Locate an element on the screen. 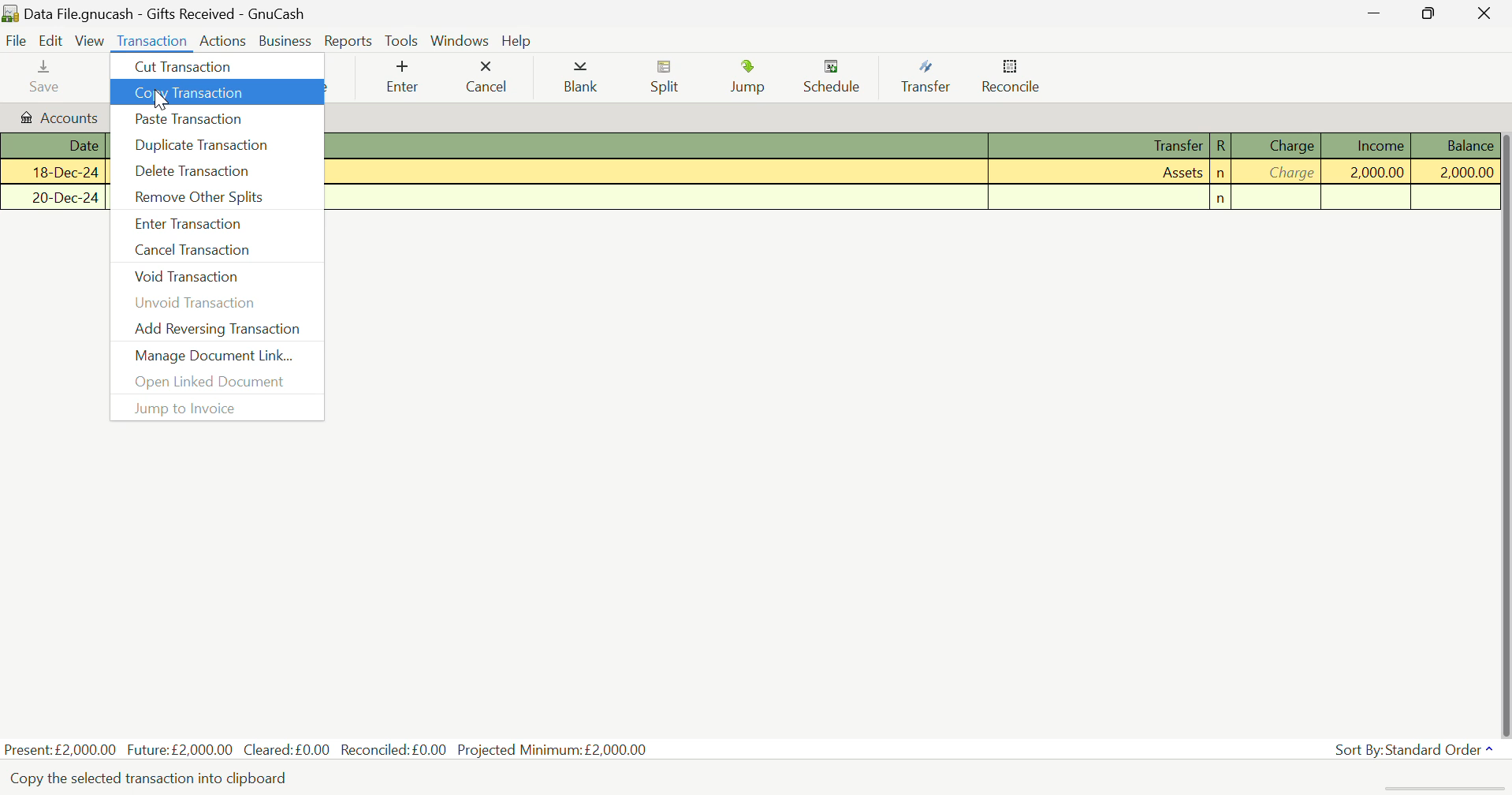 The height and width of the screenshot is (795, 1512). Copy the selected transaction into clipboard is located at coordinates (163, 778).